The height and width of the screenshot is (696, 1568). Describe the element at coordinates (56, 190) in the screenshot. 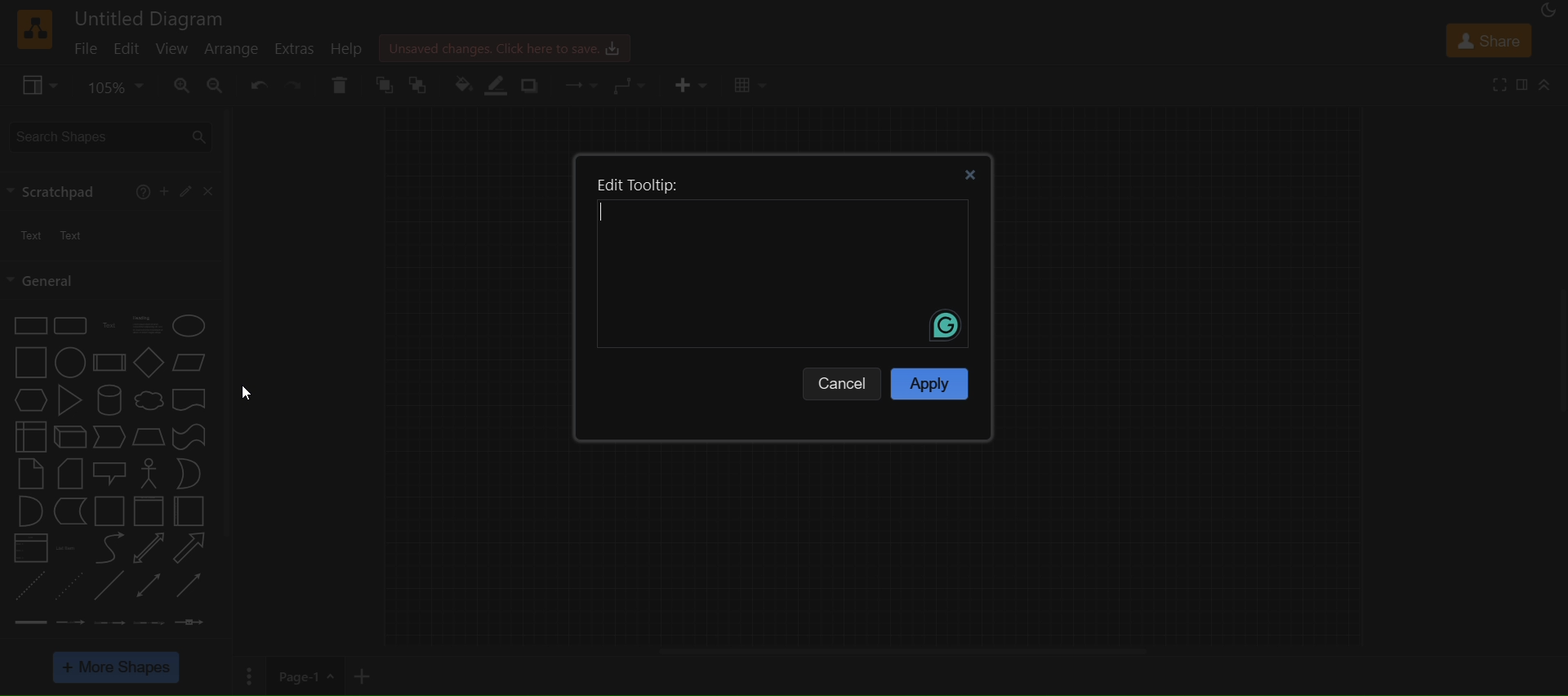

I see `scratchpad` at that location.